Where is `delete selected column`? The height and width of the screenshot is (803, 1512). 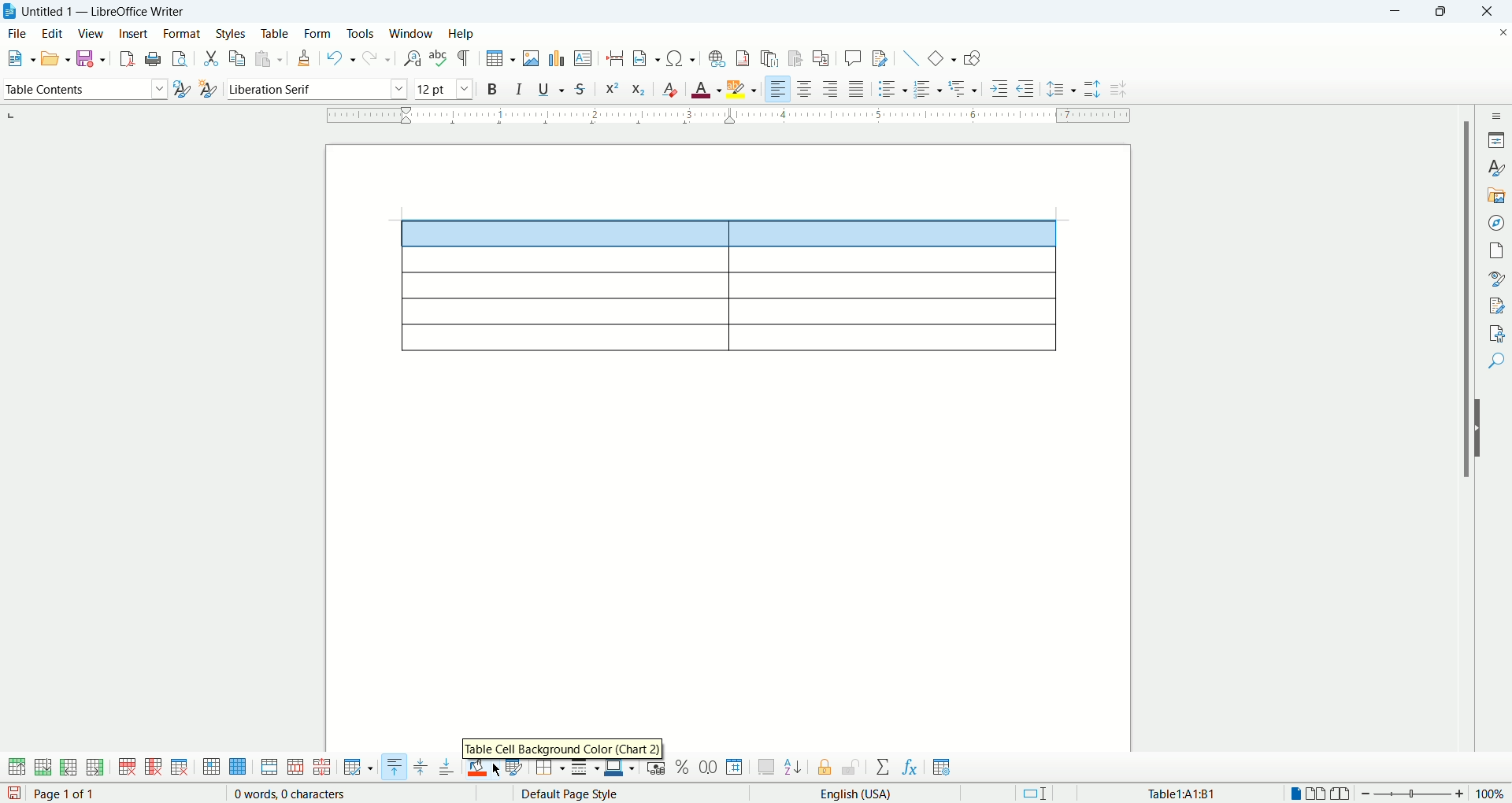
delete selected column is located at coordinates (154, 768).